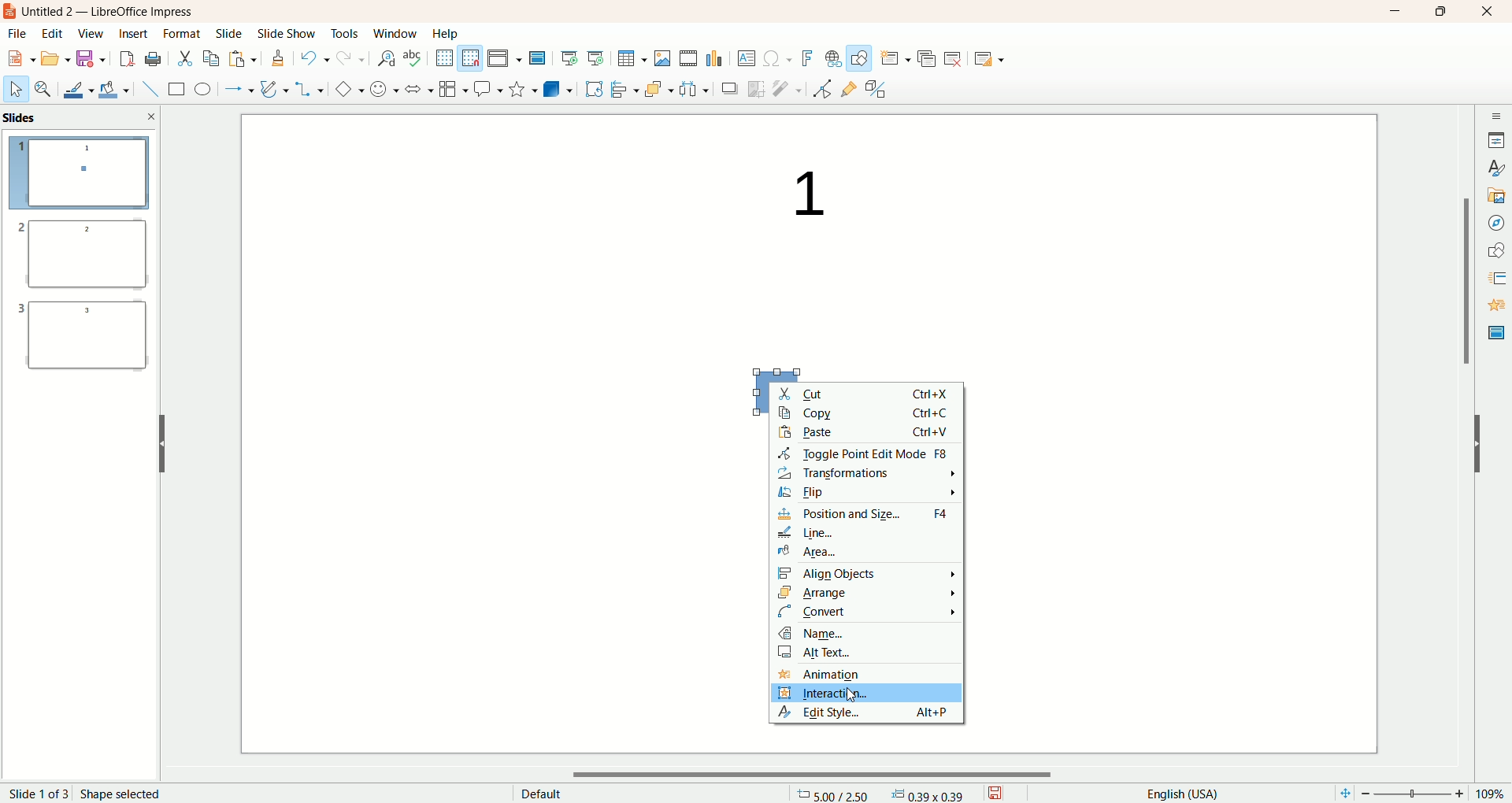  Describe the element at coordinates (1420, 794) in the screenshot. I see `zoom factor` at that location.